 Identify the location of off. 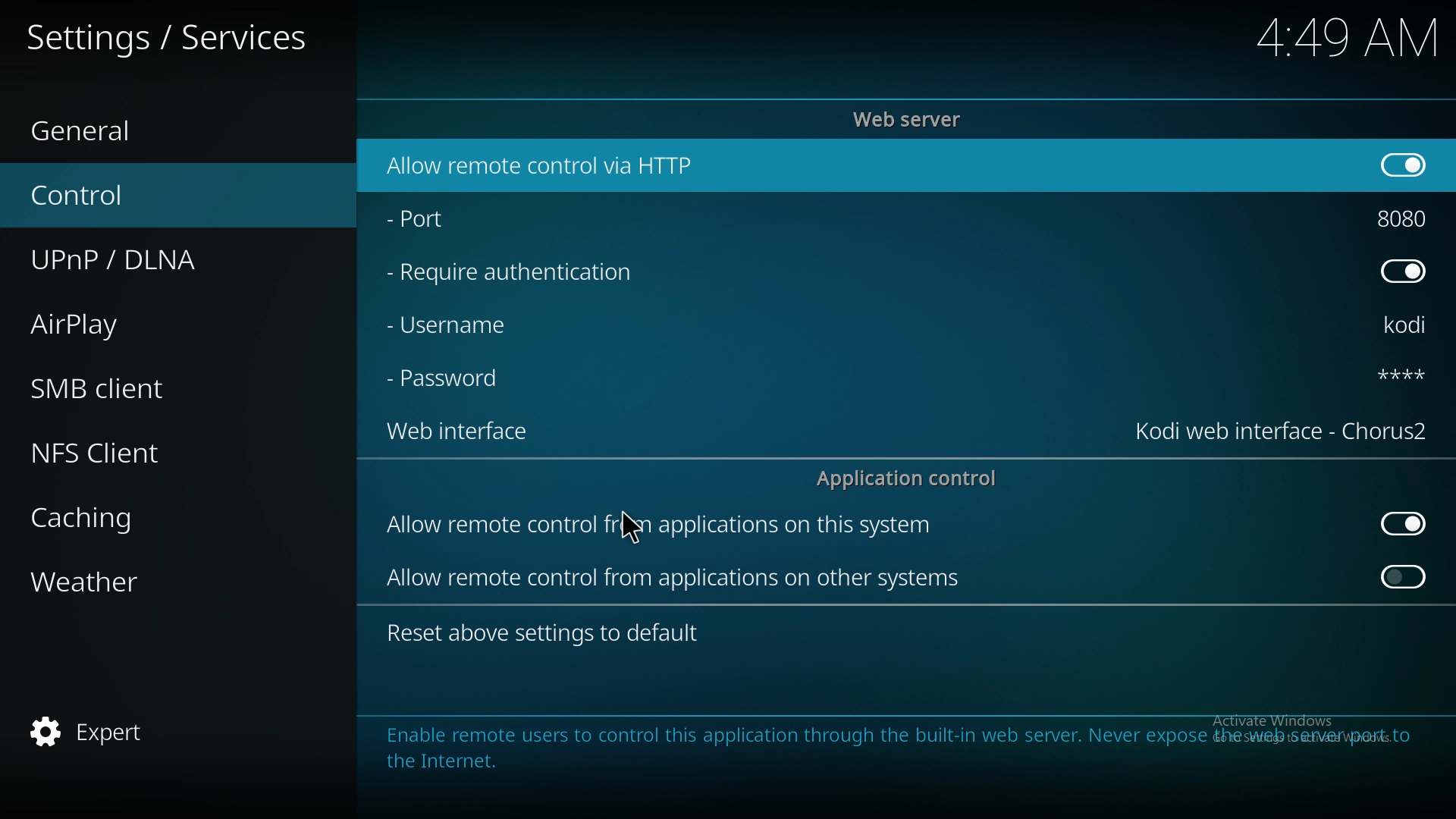
(1401, 165).